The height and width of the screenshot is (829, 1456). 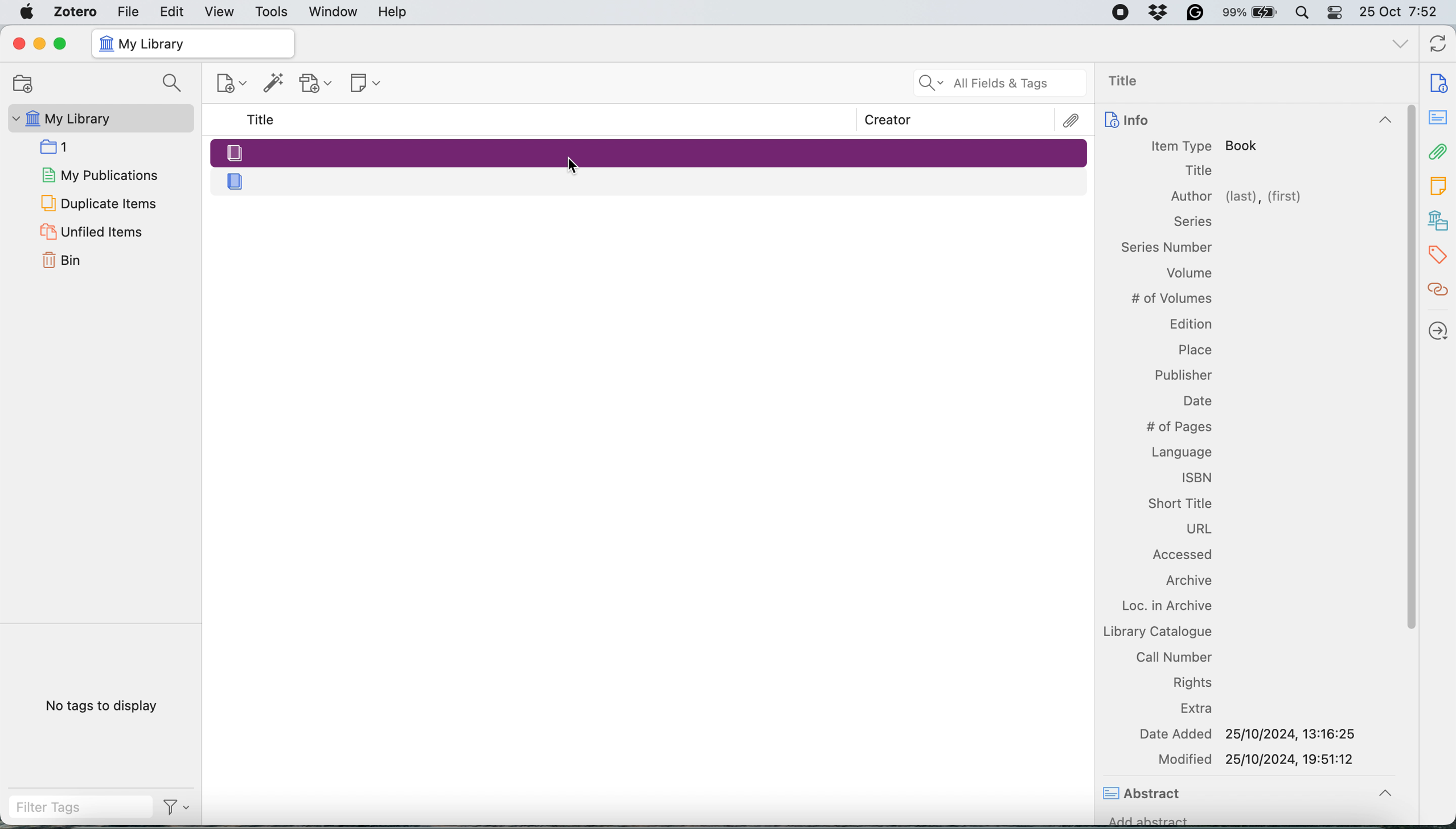 What do you see at coordinates (105, 708) in the screenshot?
I see `No tags to display` at bounding box center [105, 708].